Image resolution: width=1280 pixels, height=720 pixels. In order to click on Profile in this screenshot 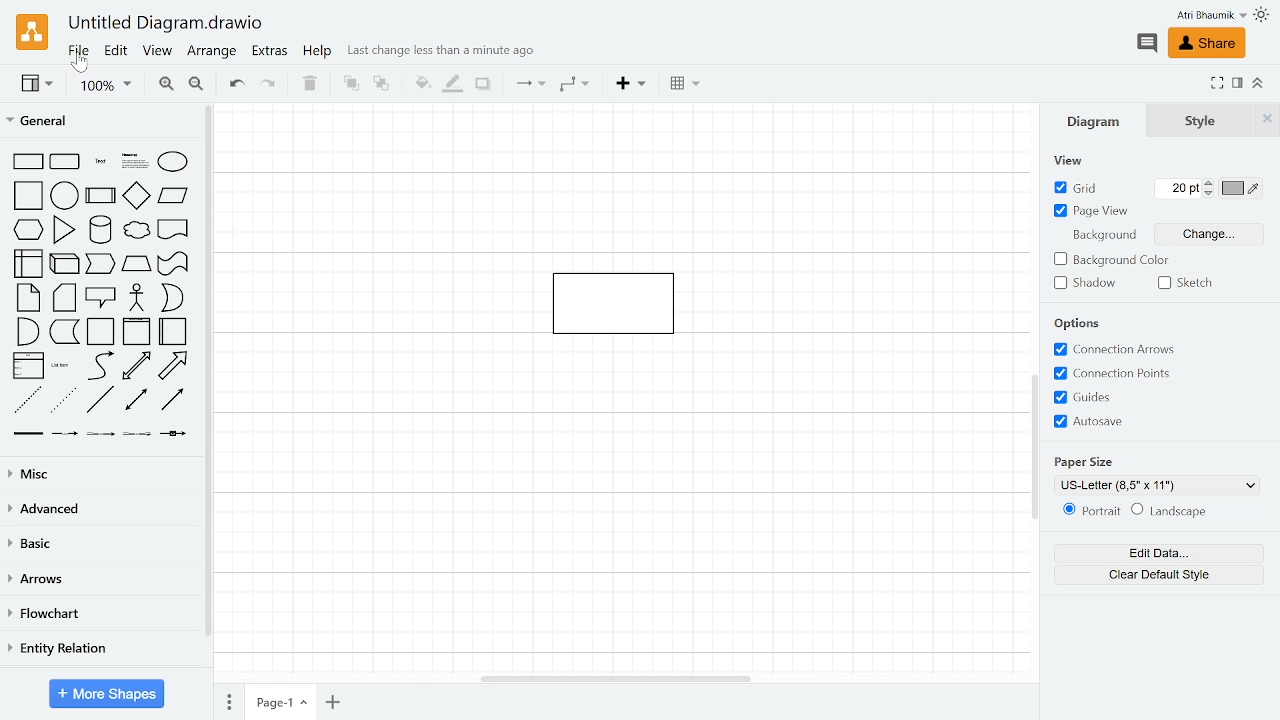, I will do `click(1194, 16)`.